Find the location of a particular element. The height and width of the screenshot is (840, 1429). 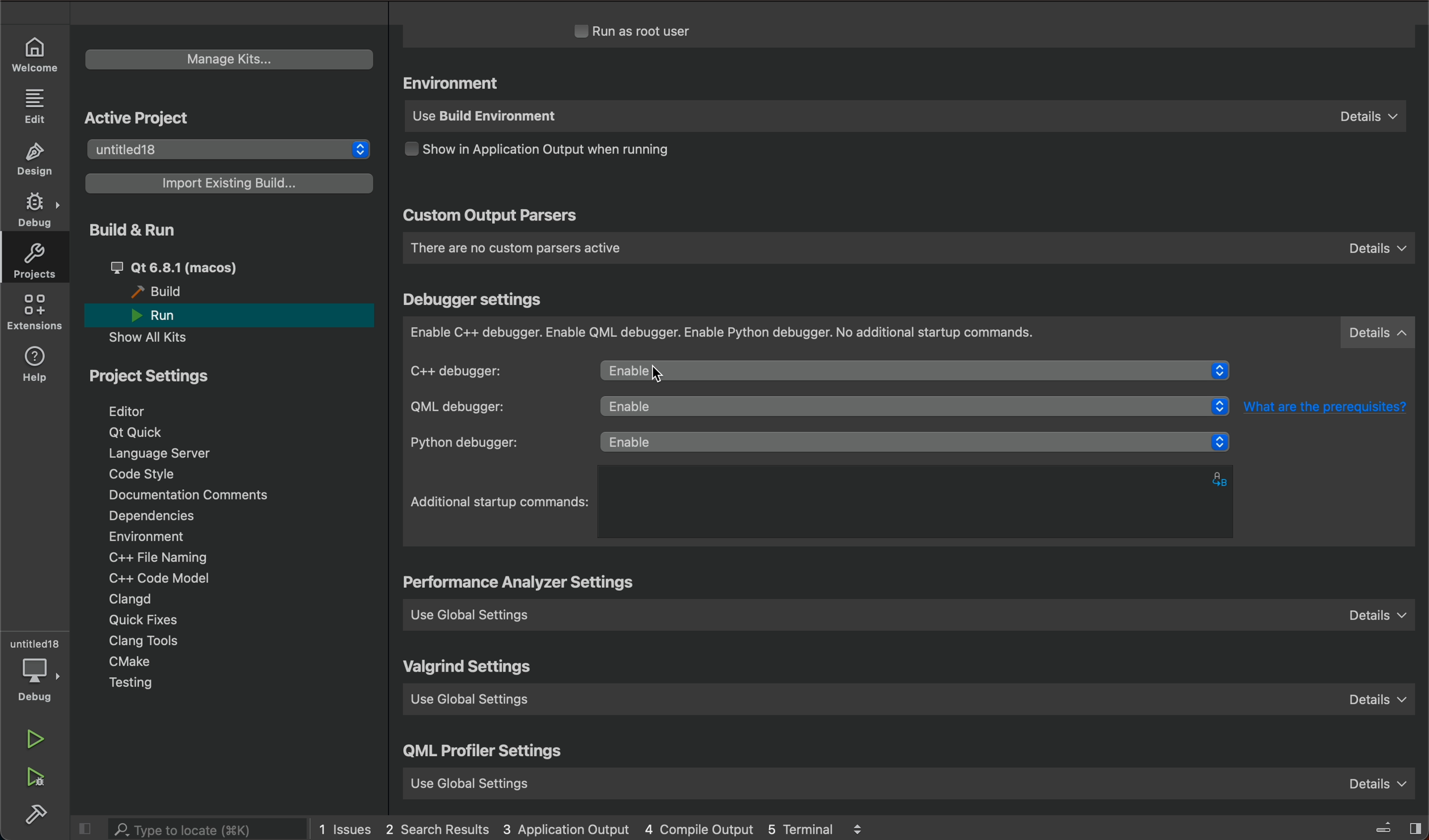

custom parsers is located at coordinates (908, 248).